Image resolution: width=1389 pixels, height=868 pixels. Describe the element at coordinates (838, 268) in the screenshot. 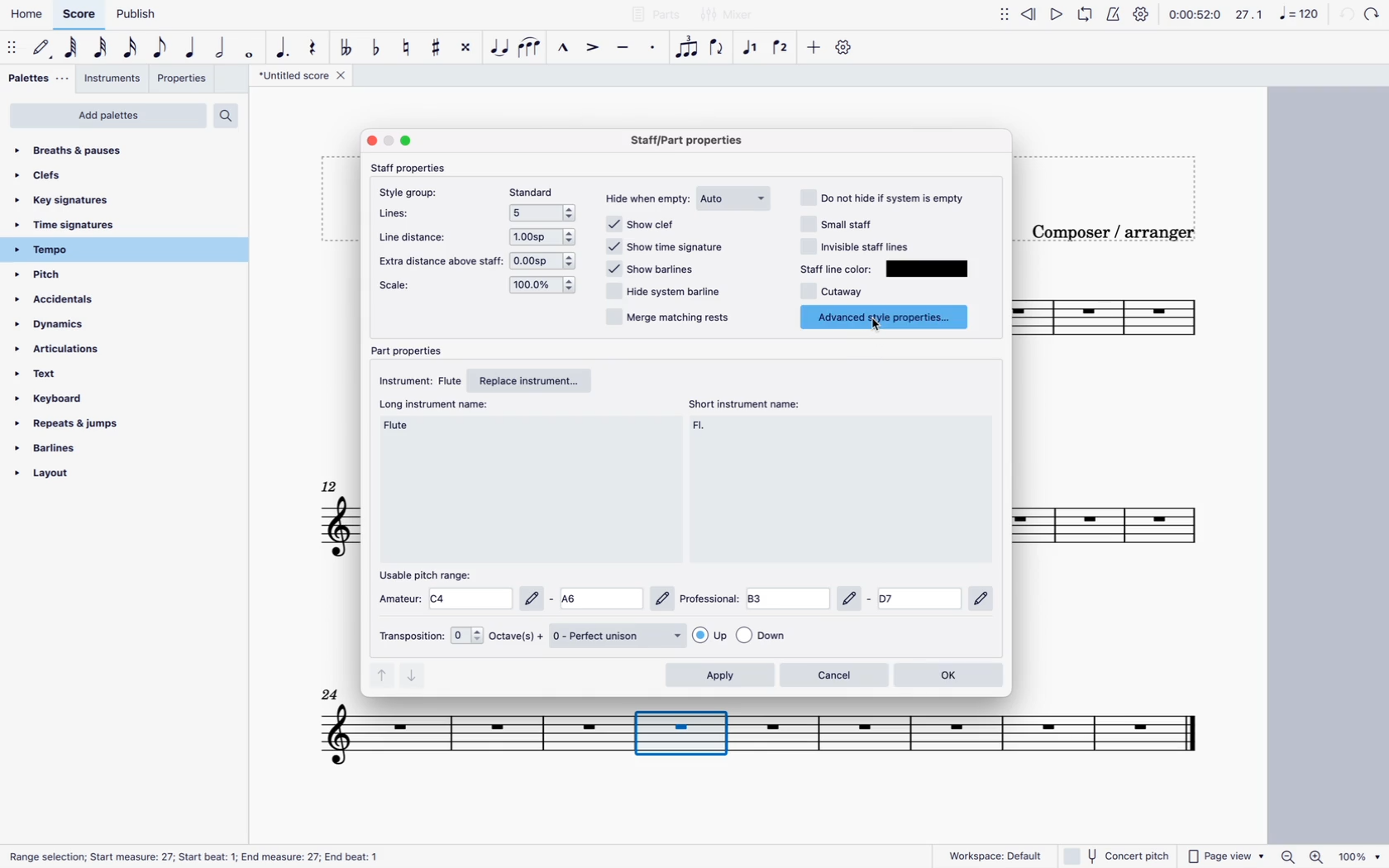

I see `staff line color` at that location.